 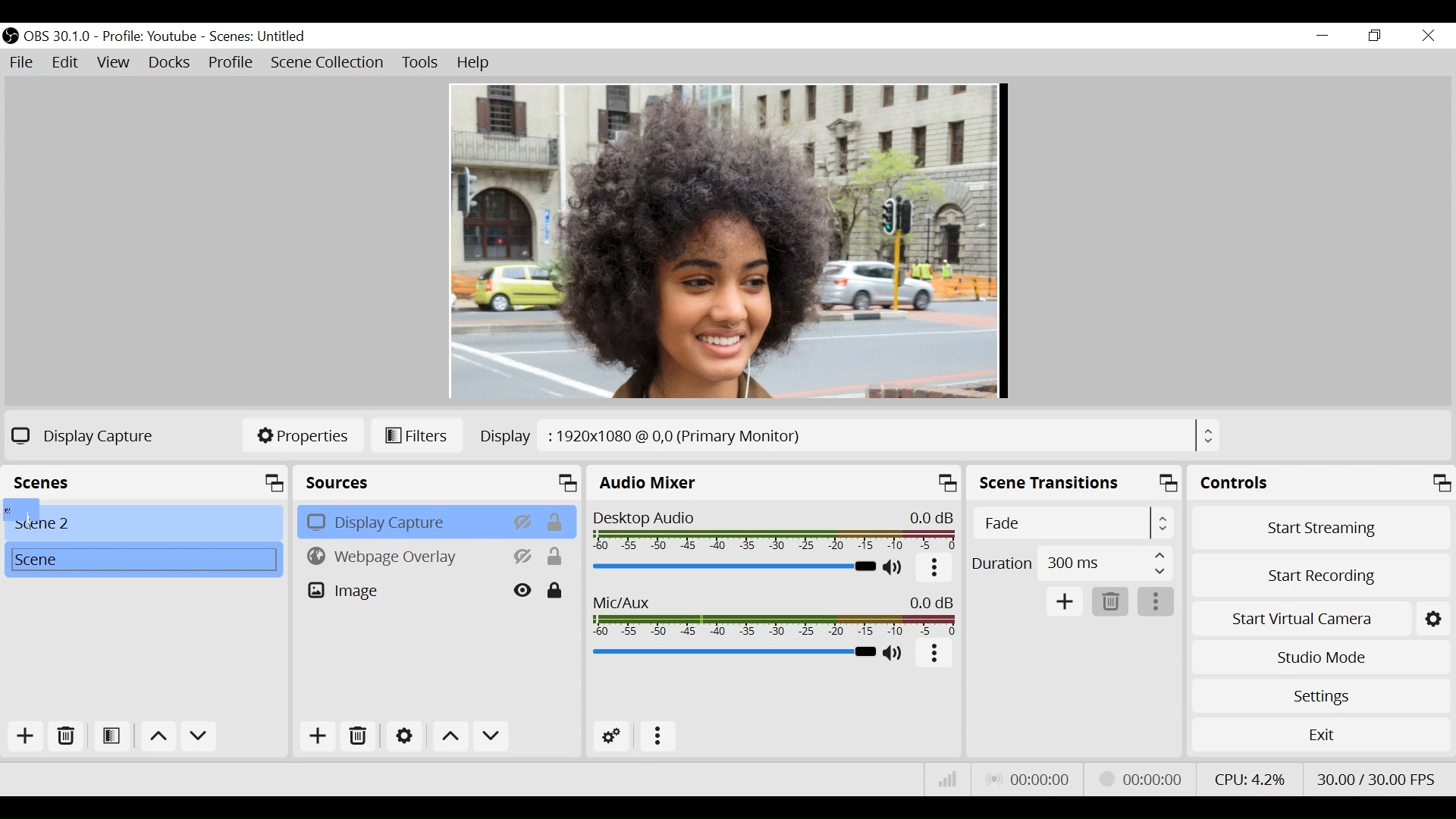 What do you see at coordinates (143, 560) in the screenshot?
I see `Scene` at bounding box center [143, 560].